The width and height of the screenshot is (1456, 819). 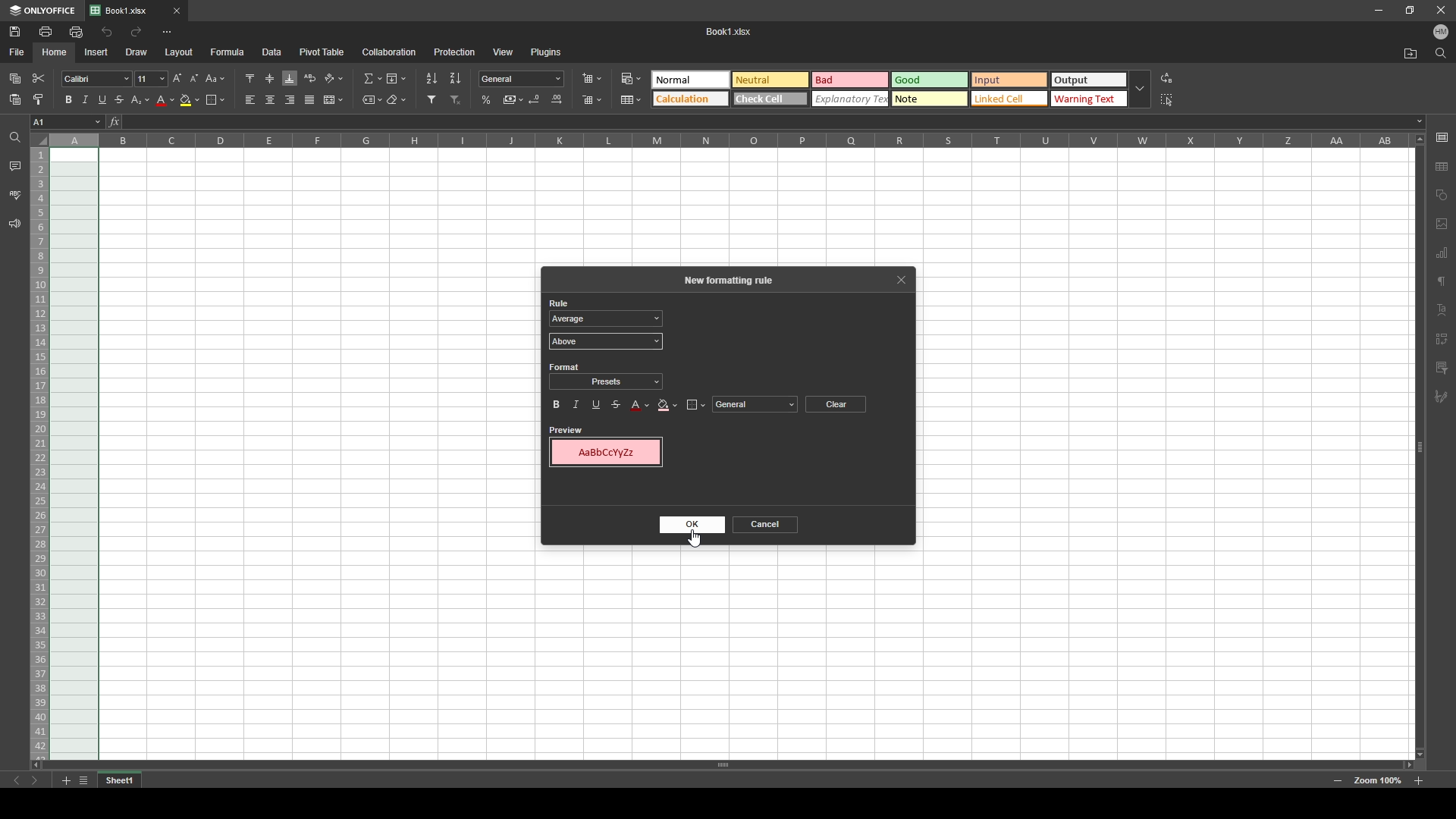 I want to click on orientation, so click(x=334, y=79).